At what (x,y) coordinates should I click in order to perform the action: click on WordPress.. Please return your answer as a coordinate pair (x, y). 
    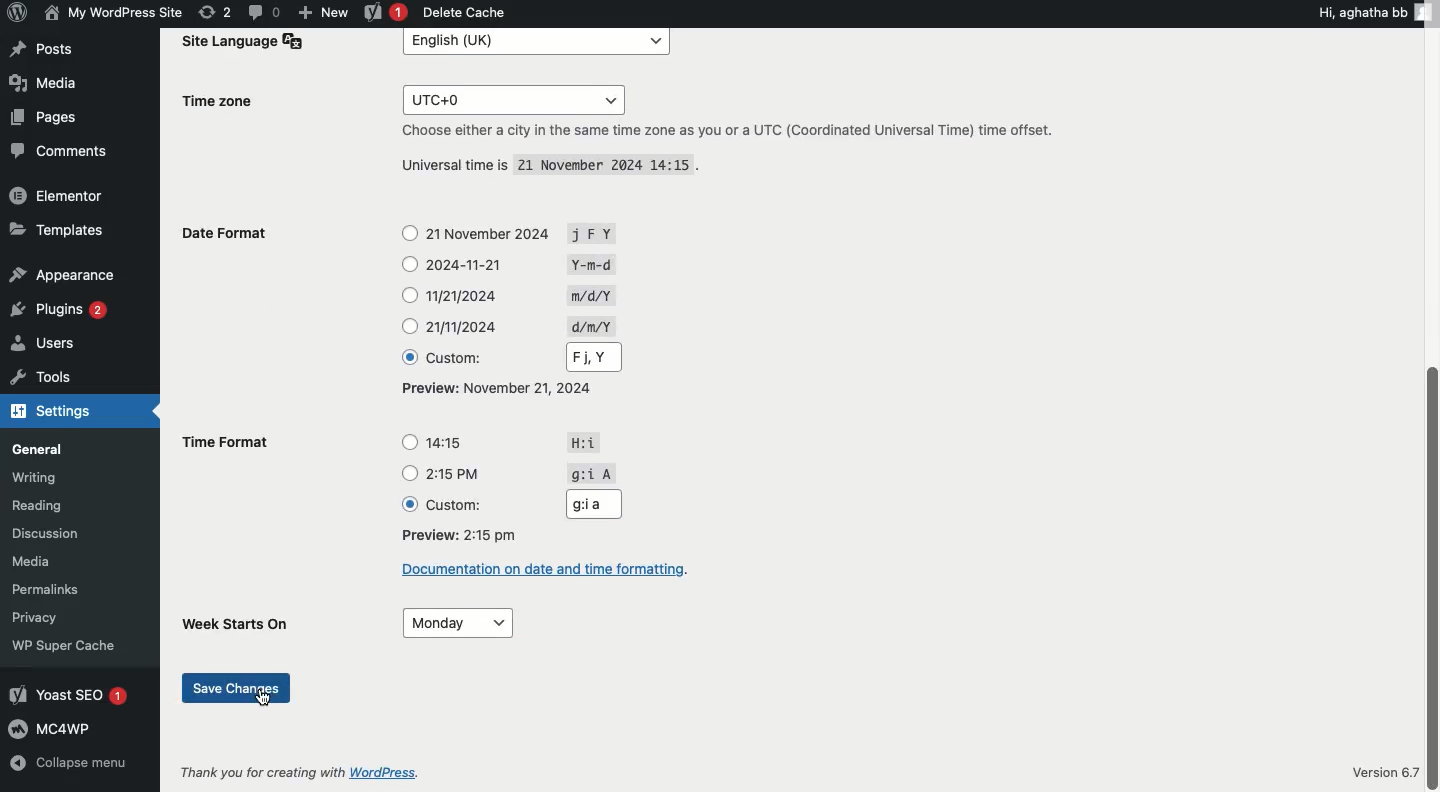
    Looking at the image, I should click on (386, 771).